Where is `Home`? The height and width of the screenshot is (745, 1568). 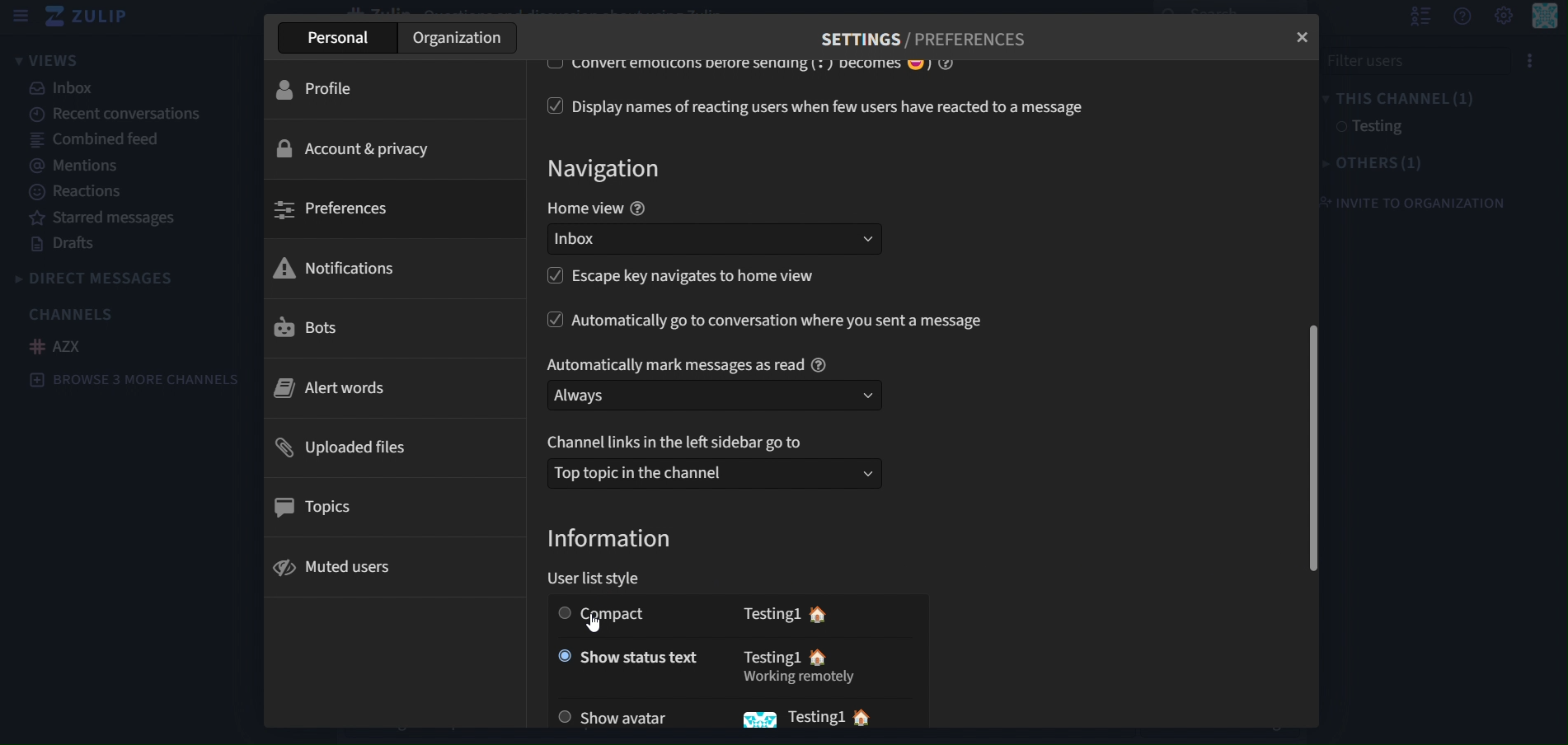 Home is located at coordinates (873, 719).